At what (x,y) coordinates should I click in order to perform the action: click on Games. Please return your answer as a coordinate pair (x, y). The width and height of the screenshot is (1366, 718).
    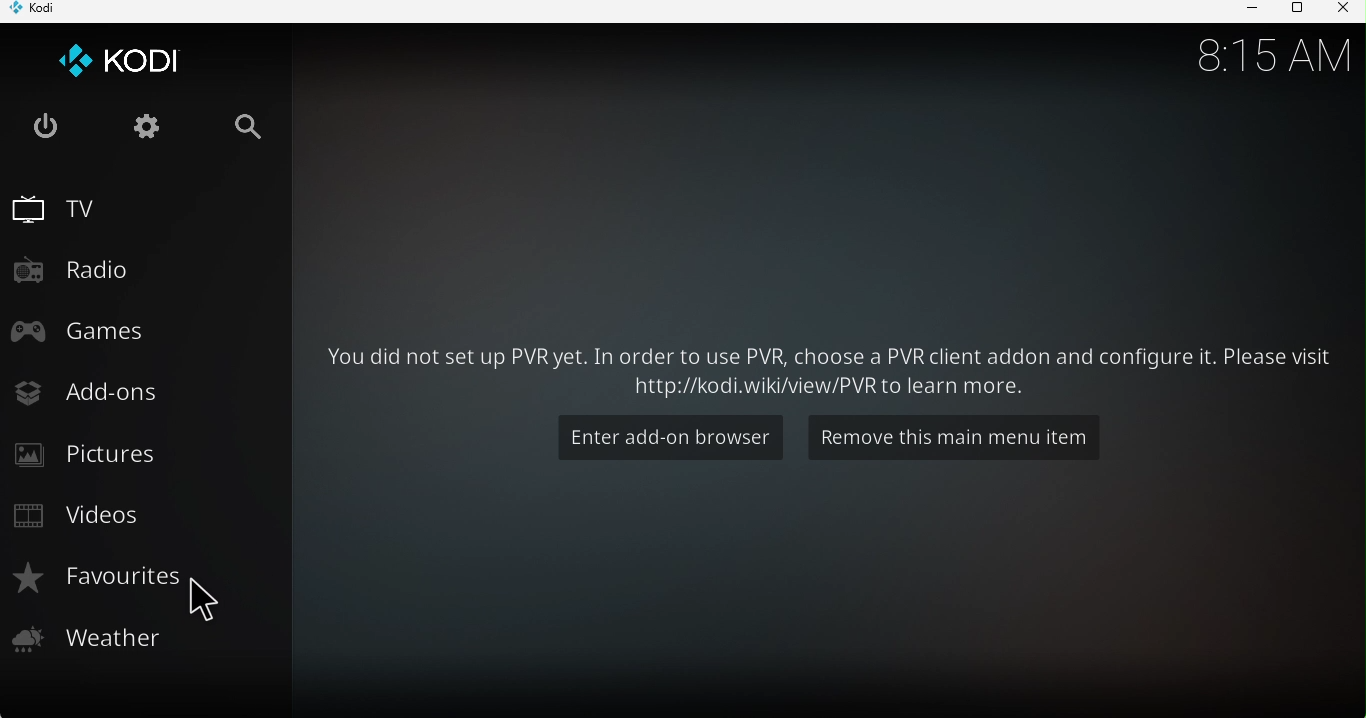
    Looking at the image, I should click on (130, 329).